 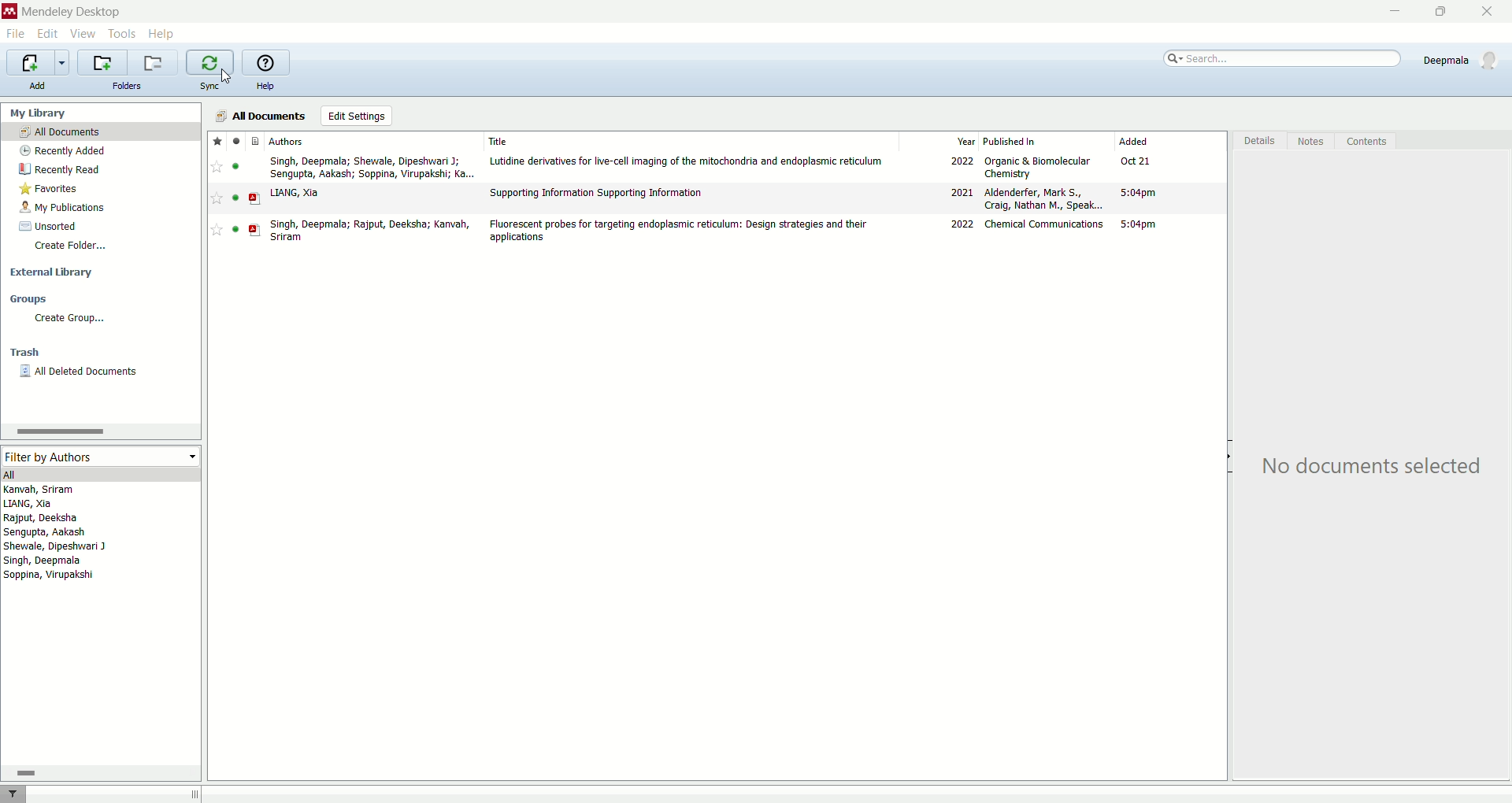 I want to click on folders, so click(x=128, y=85).